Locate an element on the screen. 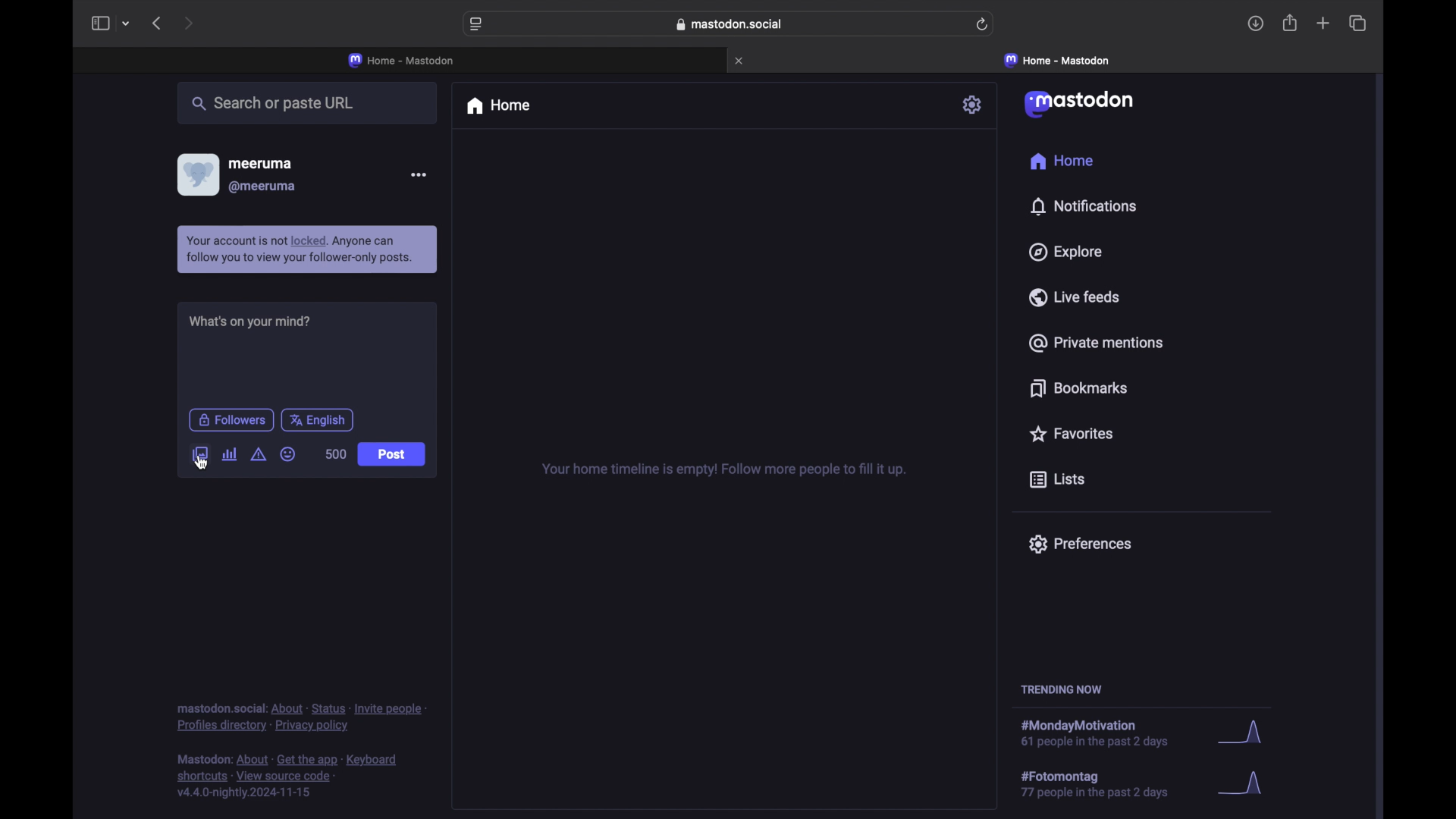 The width and height of the screenshot is (1456, 819). mastodon is located at coordinates (1081, 104).